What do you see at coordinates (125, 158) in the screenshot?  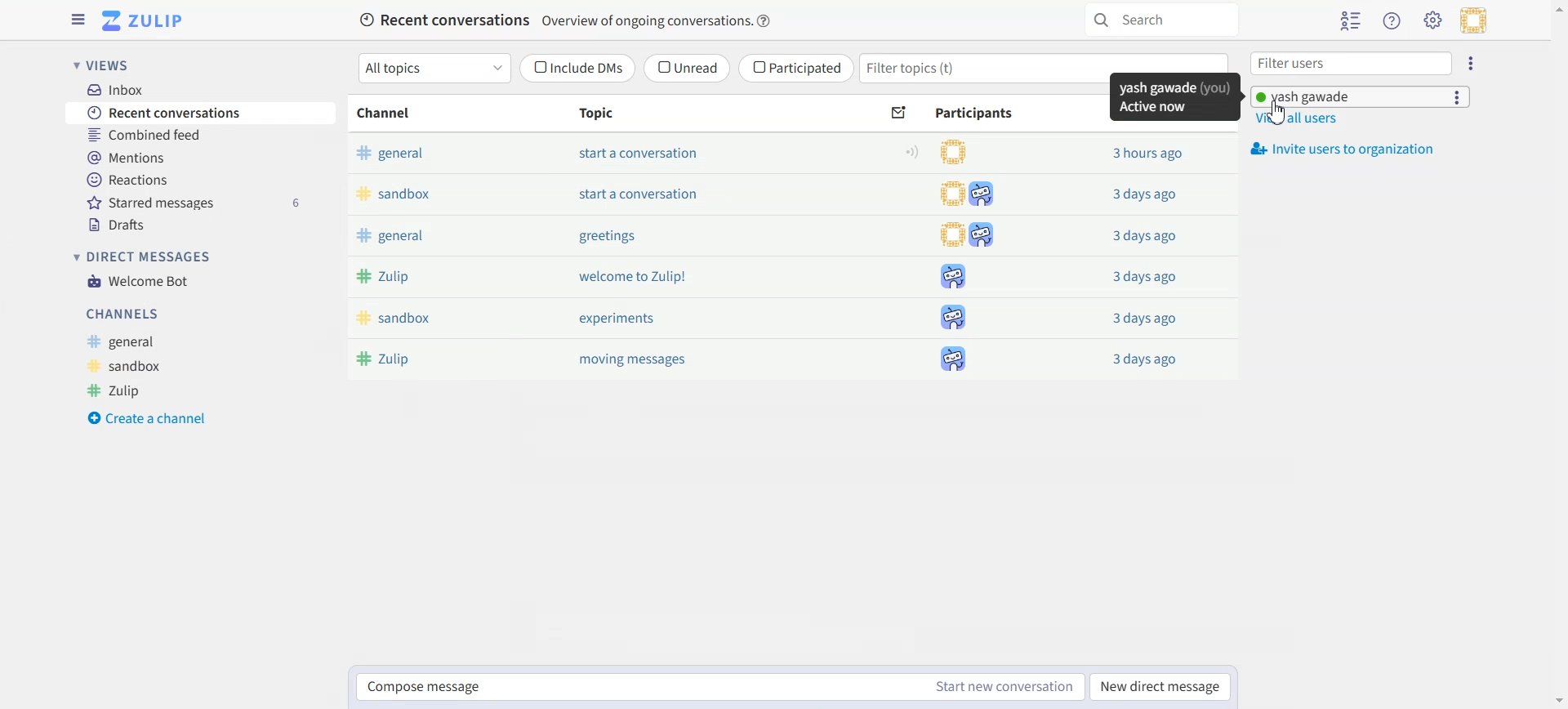 I see `Mentions` at bounding box center [125, 158].